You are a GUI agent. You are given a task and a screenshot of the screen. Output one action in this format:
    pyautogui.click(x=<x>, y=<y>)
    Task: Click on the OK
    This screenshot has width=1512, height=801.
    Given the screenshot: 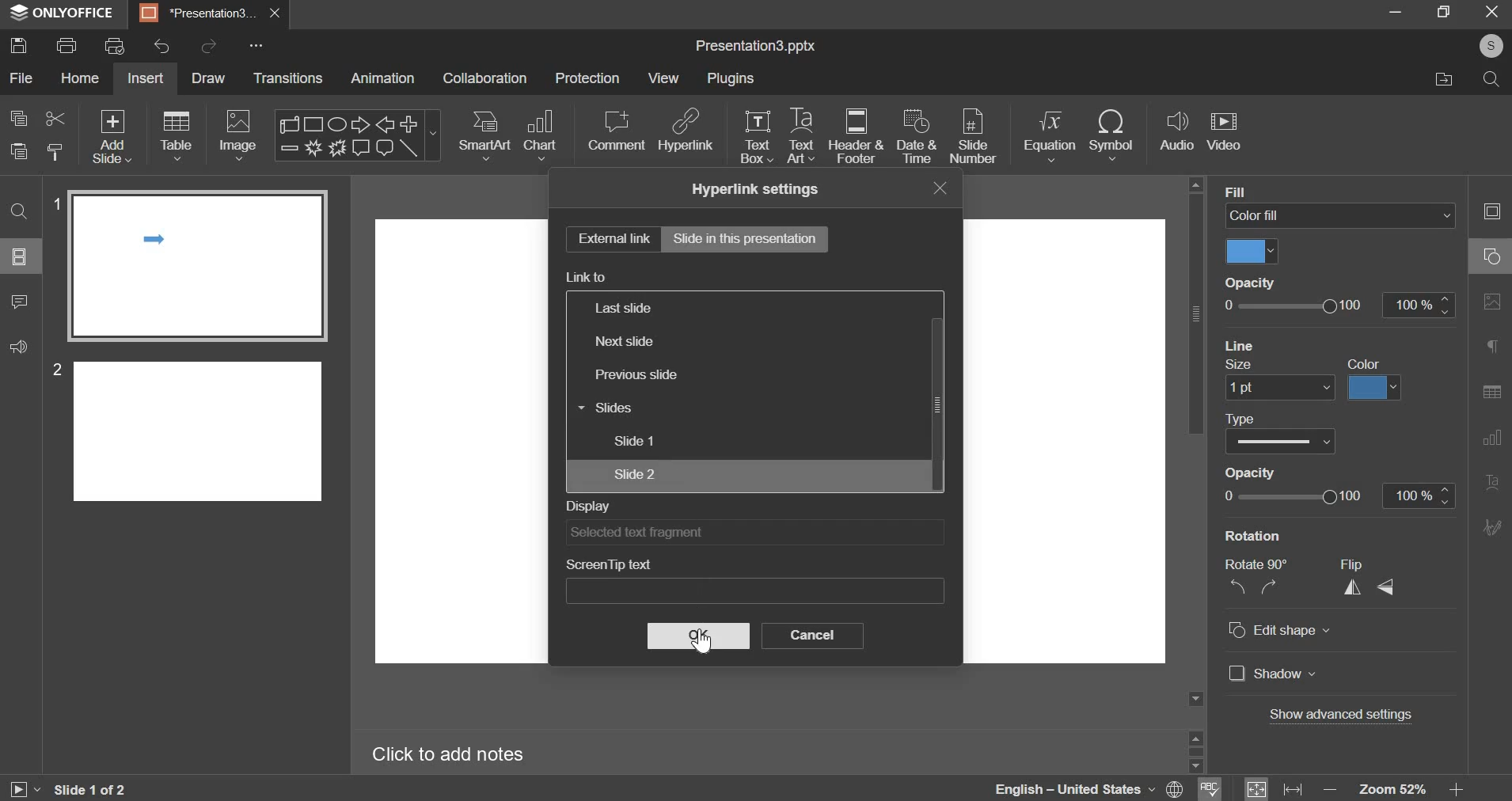 What is the action you would take?
    pyautogui.click(x=701, y=636)
    